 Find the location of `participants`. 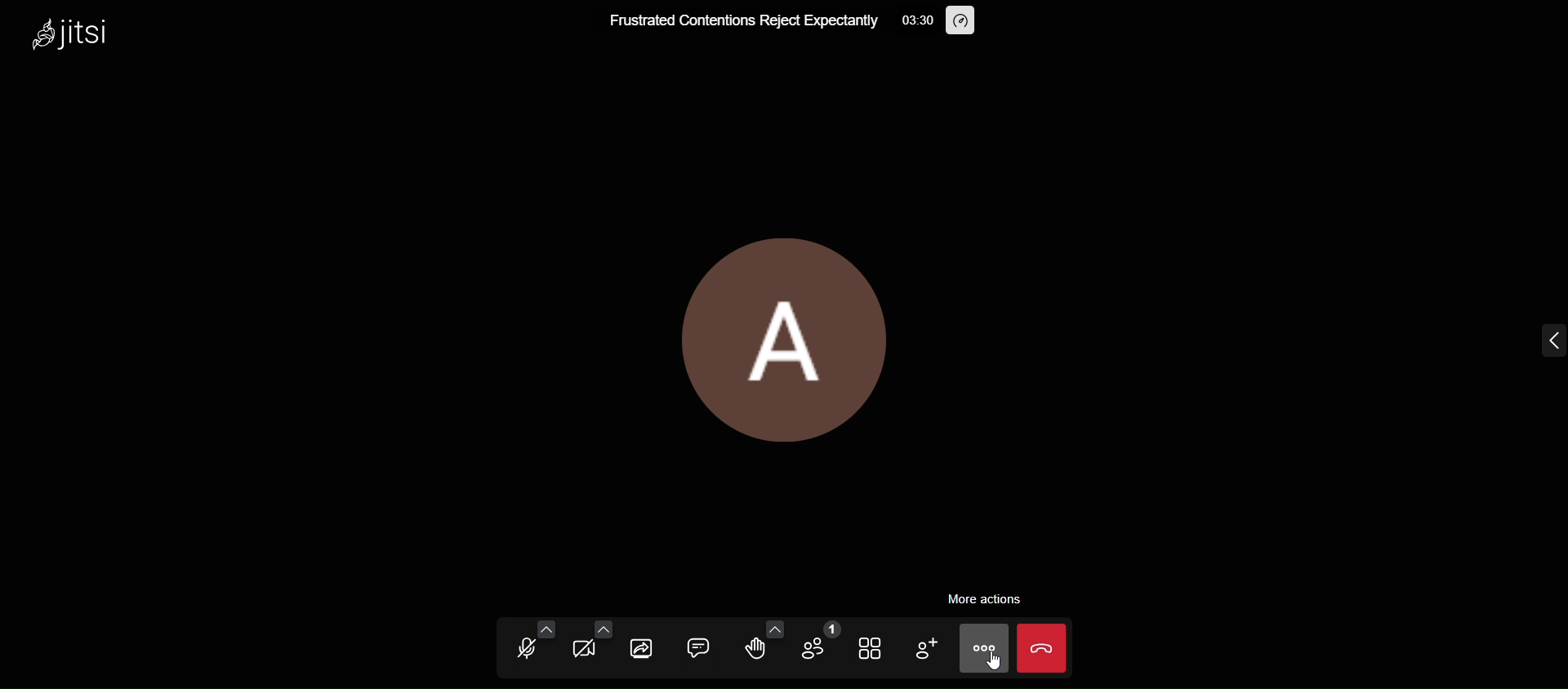

participants is located at coordinates (817, 640).